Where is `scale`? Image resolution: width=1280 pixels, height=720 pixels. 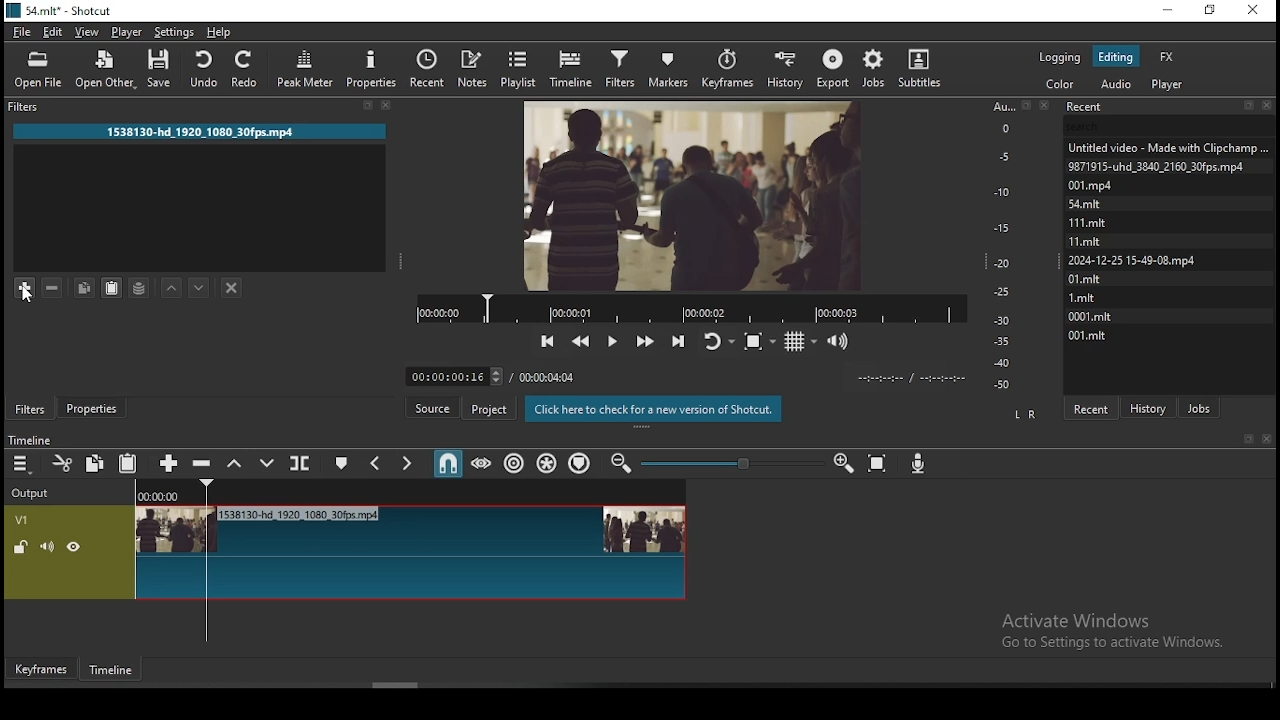
scale is located at coordinates (1003, 245).